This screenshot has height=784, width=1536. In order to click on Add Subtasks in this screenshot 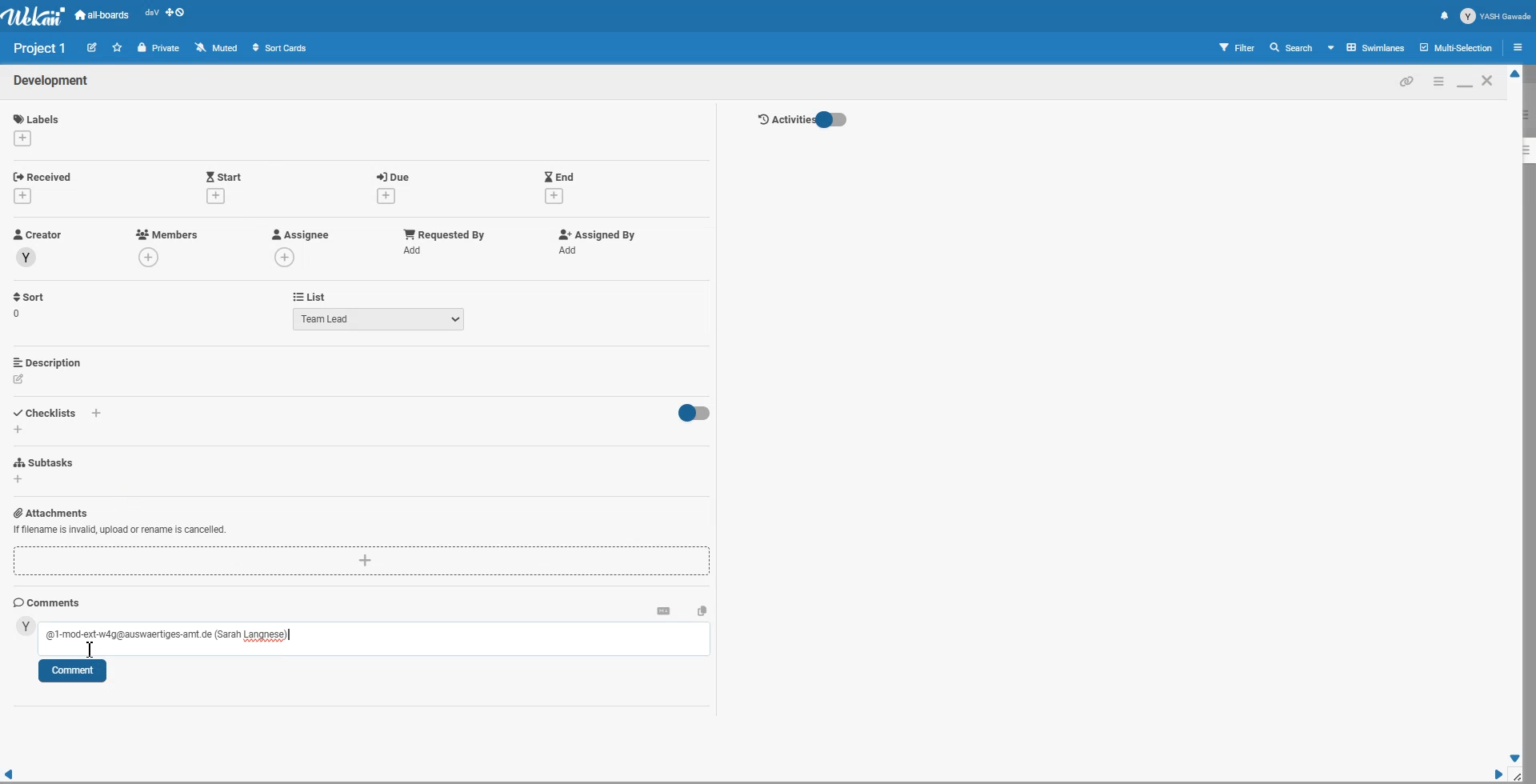, I will do `click(46, 462)`.